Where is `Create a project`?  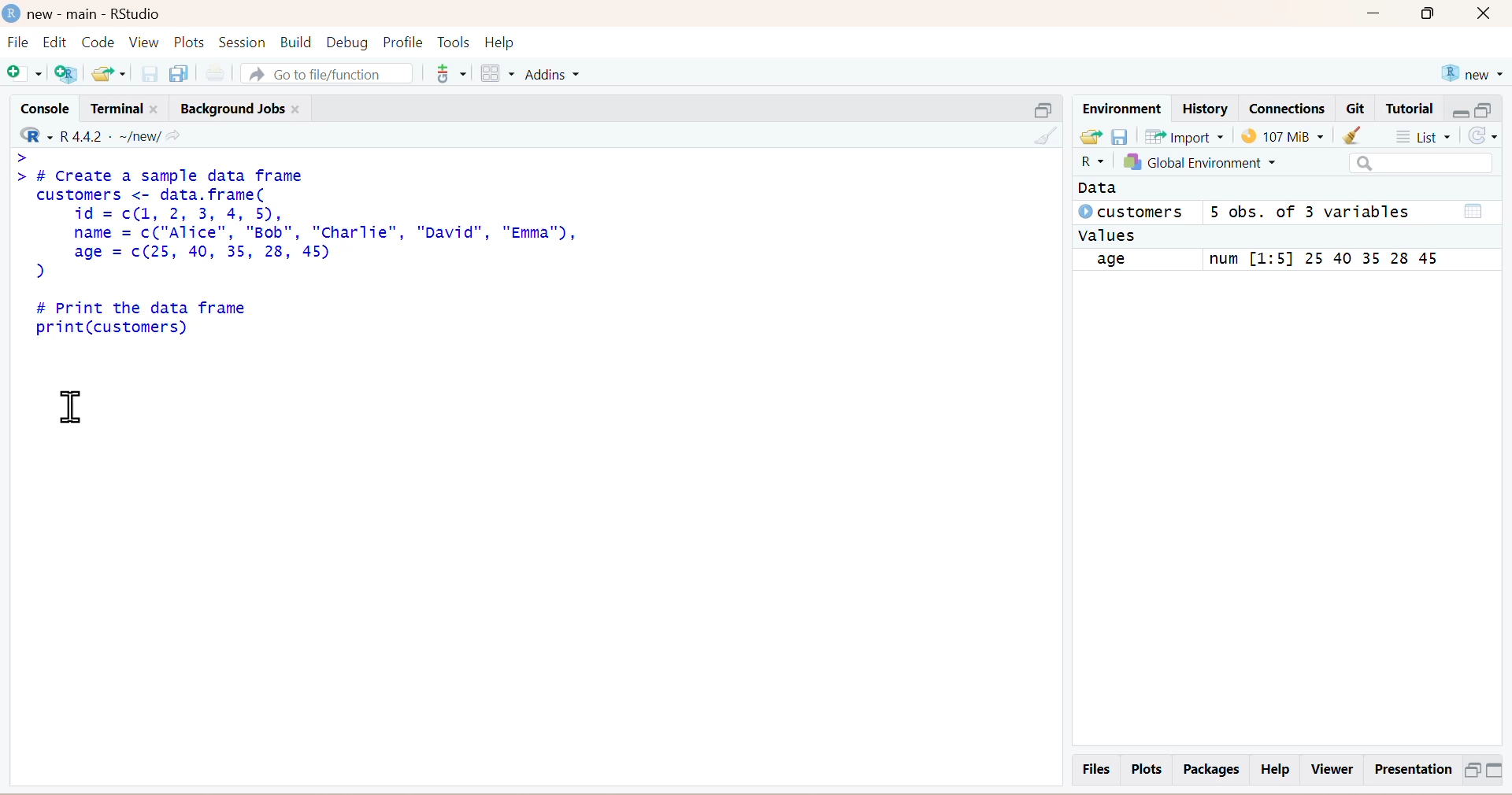
Create a project is located at coordinates (70, 72).